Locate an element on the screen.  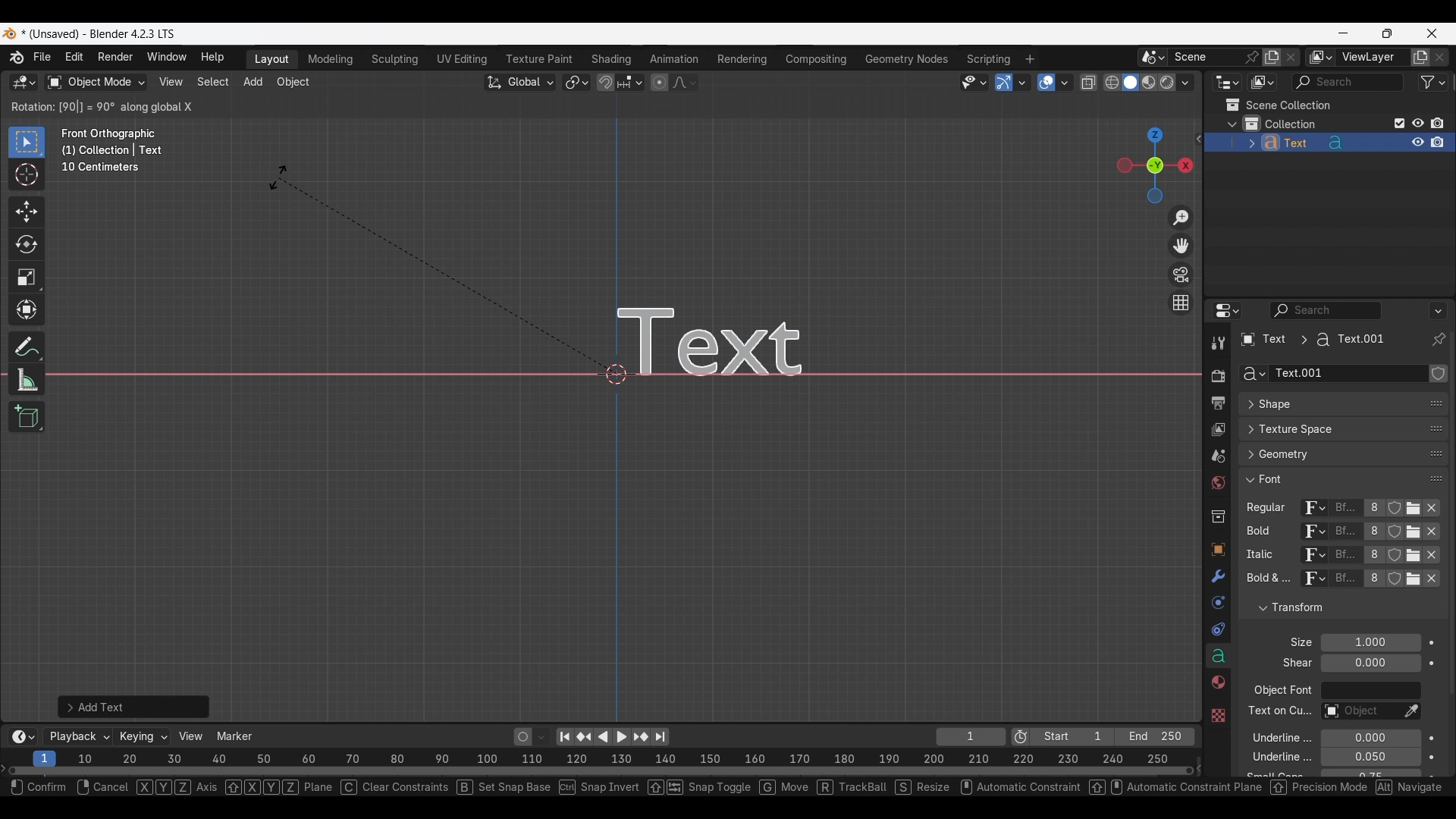
Physics is located at coordinates (1217, 603).